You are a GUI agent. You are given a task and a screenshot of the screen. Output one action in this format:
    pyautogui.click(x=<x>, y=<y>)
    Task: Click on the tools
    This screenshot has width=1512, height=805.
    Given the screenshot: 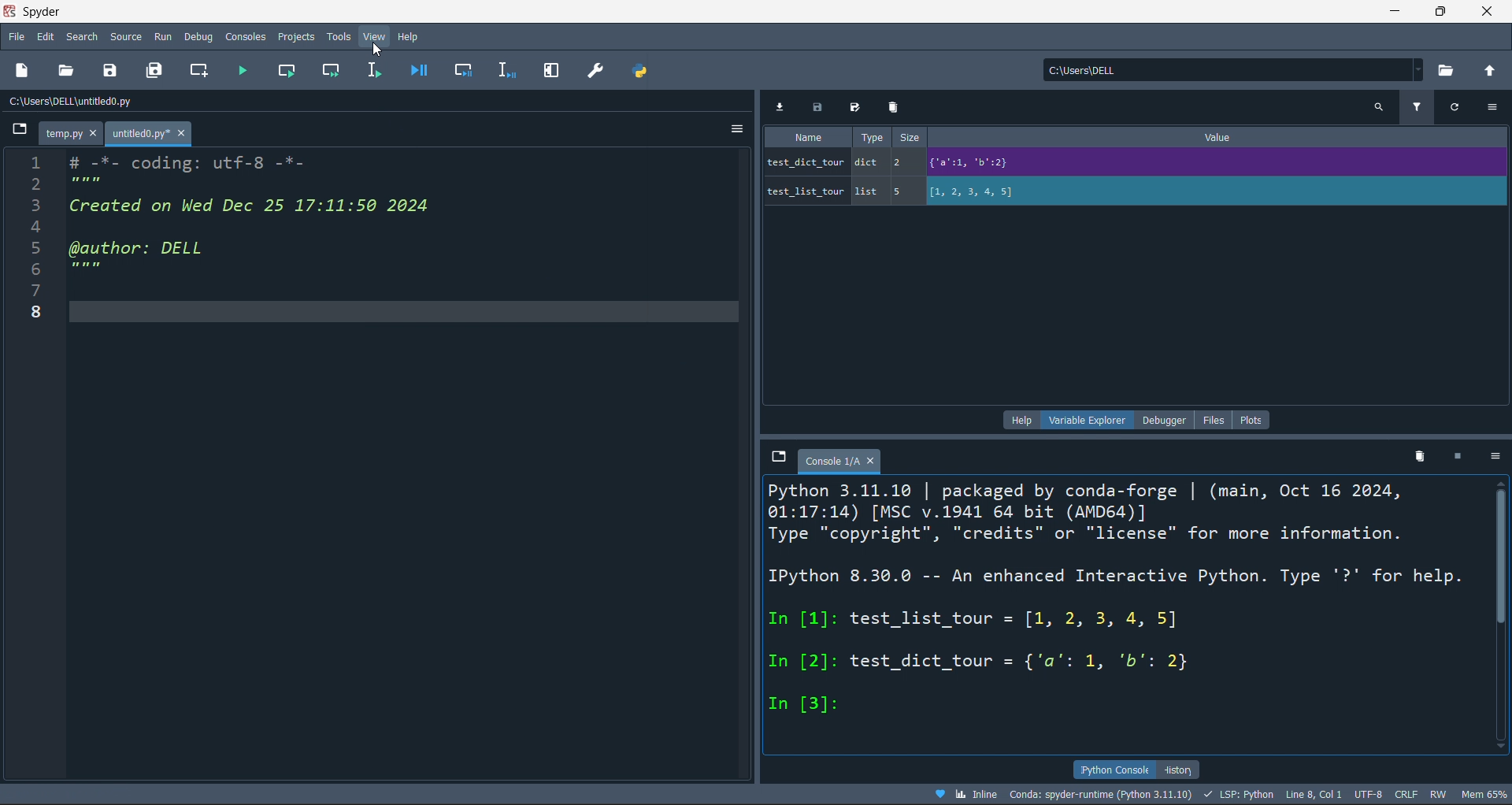 What is the action you would take?
    pyautogui.click(x=338, y=37)
    